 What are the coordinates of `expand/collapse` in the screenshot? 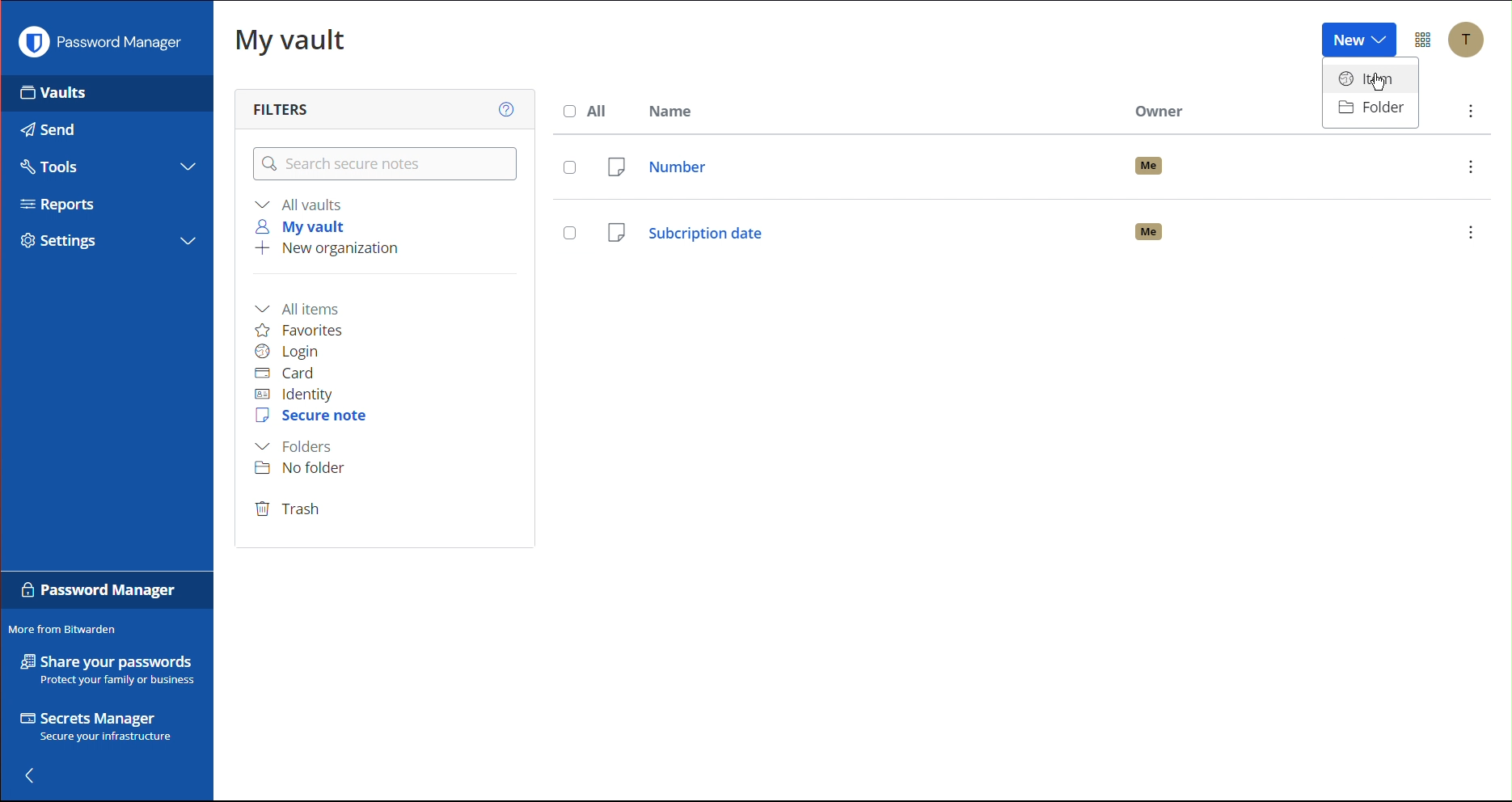 It's located at (189, 167).